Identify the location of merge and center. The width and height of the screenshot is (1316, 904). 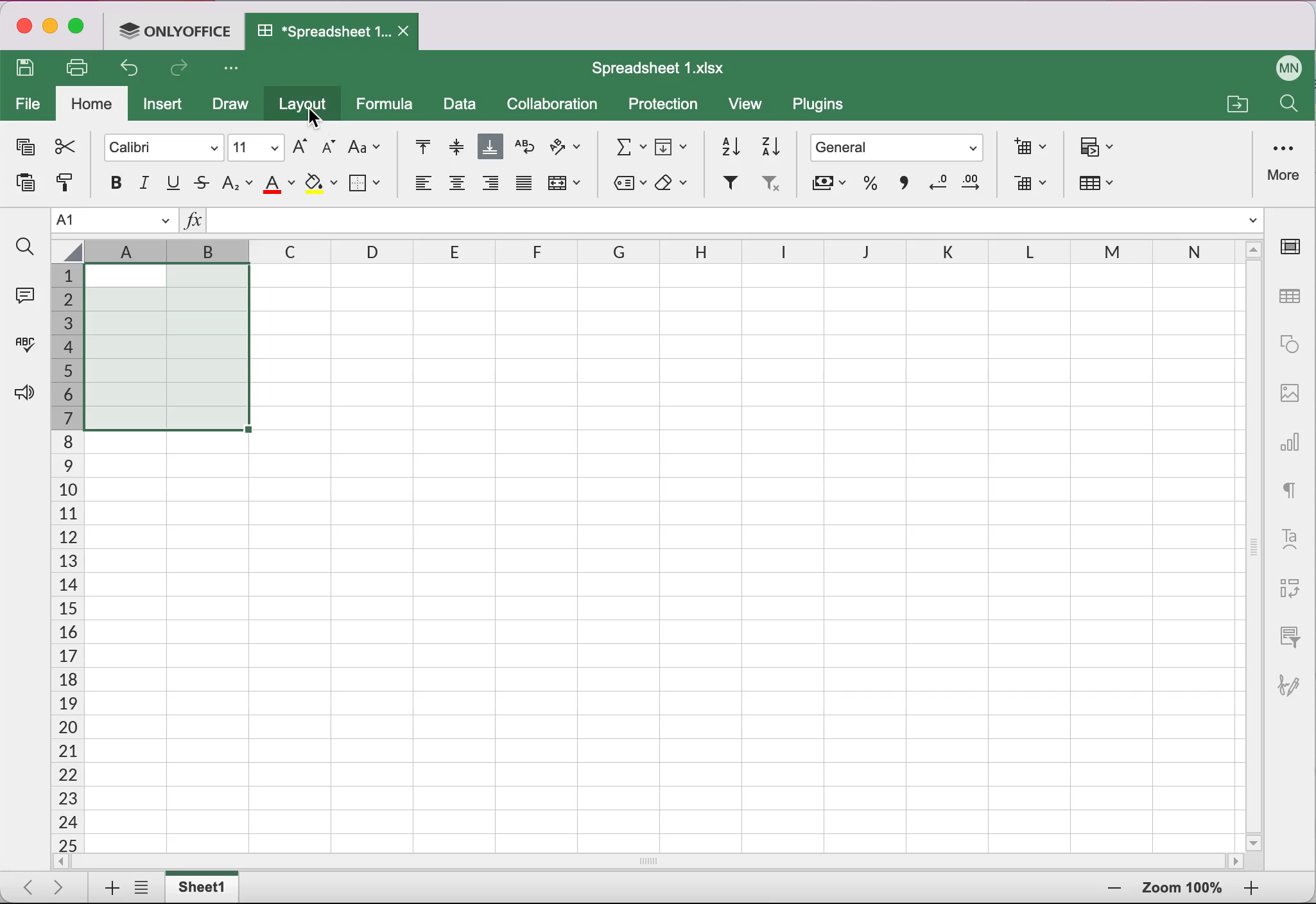
(567, 187).